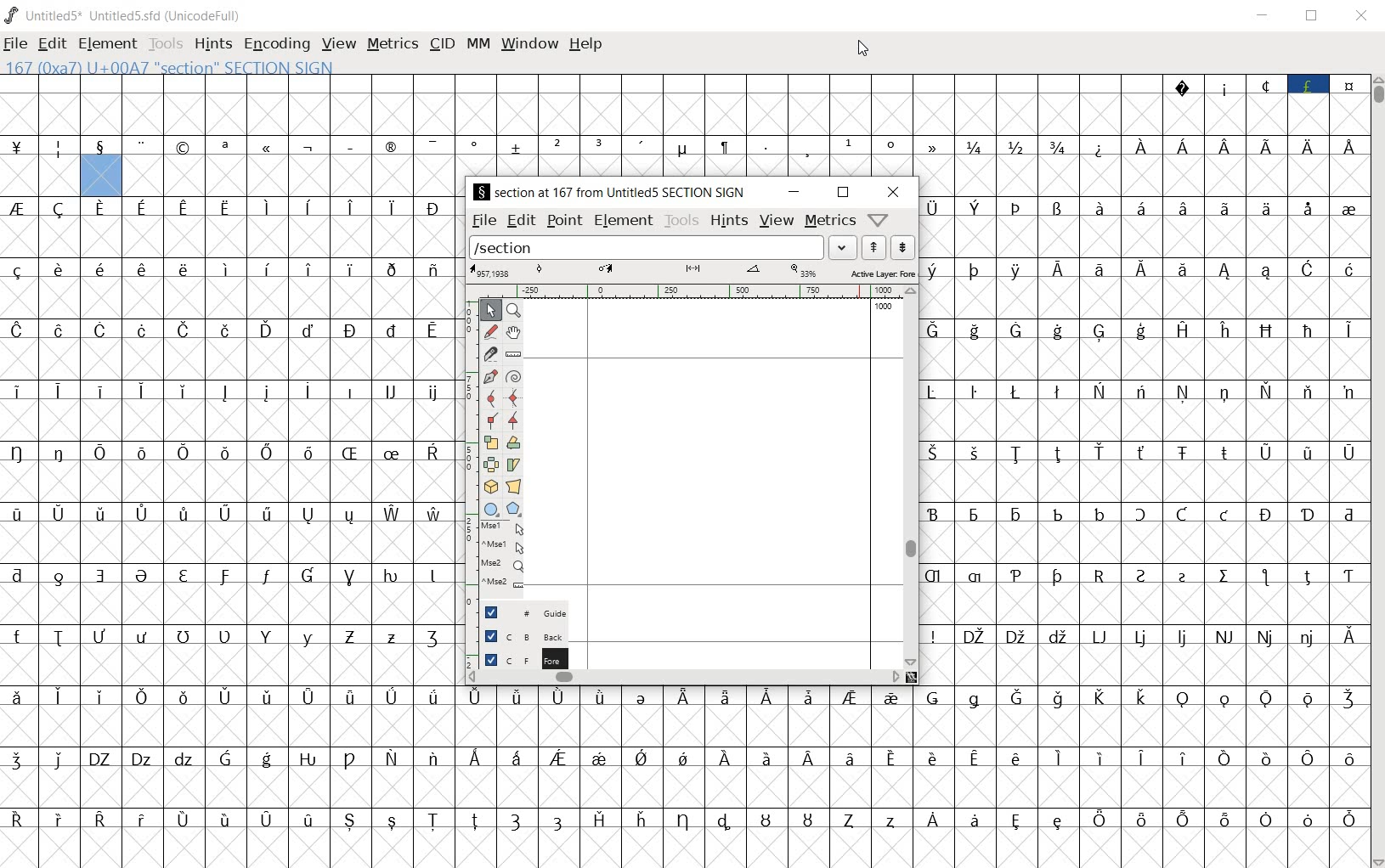  I want to click on Untitled1 Untitled1.sfd (UnicodeFull), so click(122, 15).